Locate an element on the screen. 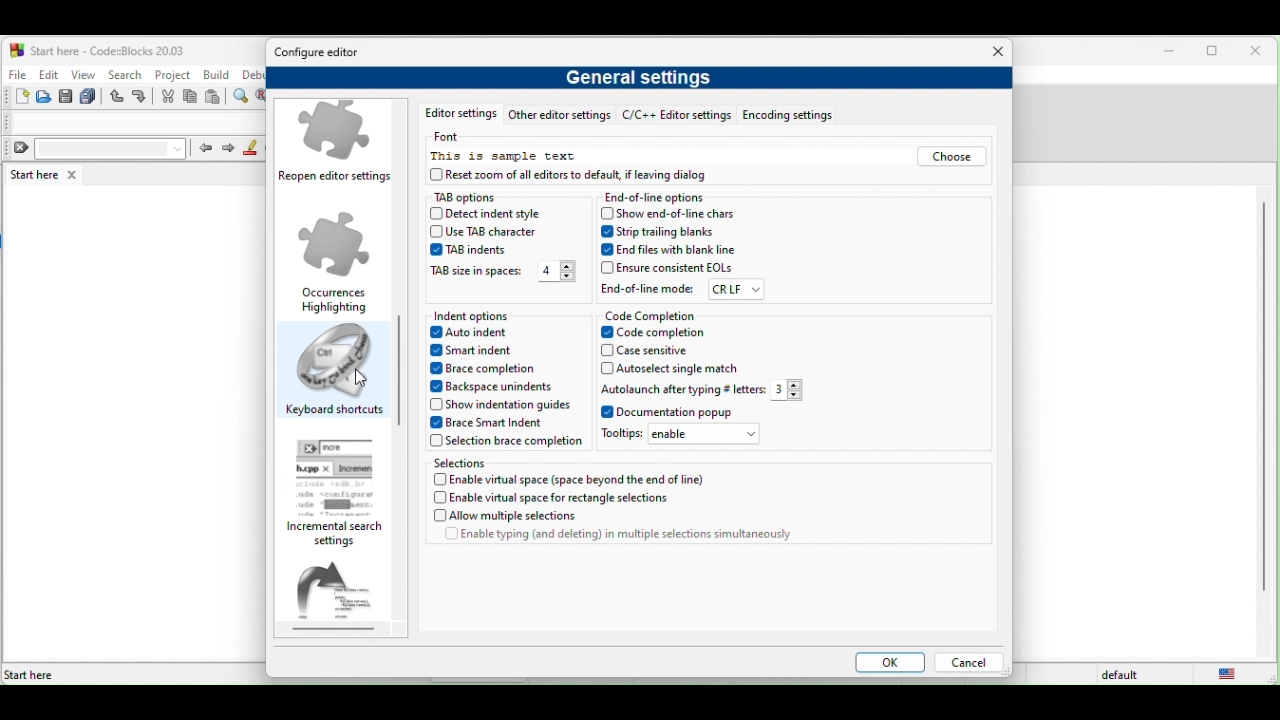 This screenshot has width=1280, height=720. cursor movement is located at coordinates (363, 379).